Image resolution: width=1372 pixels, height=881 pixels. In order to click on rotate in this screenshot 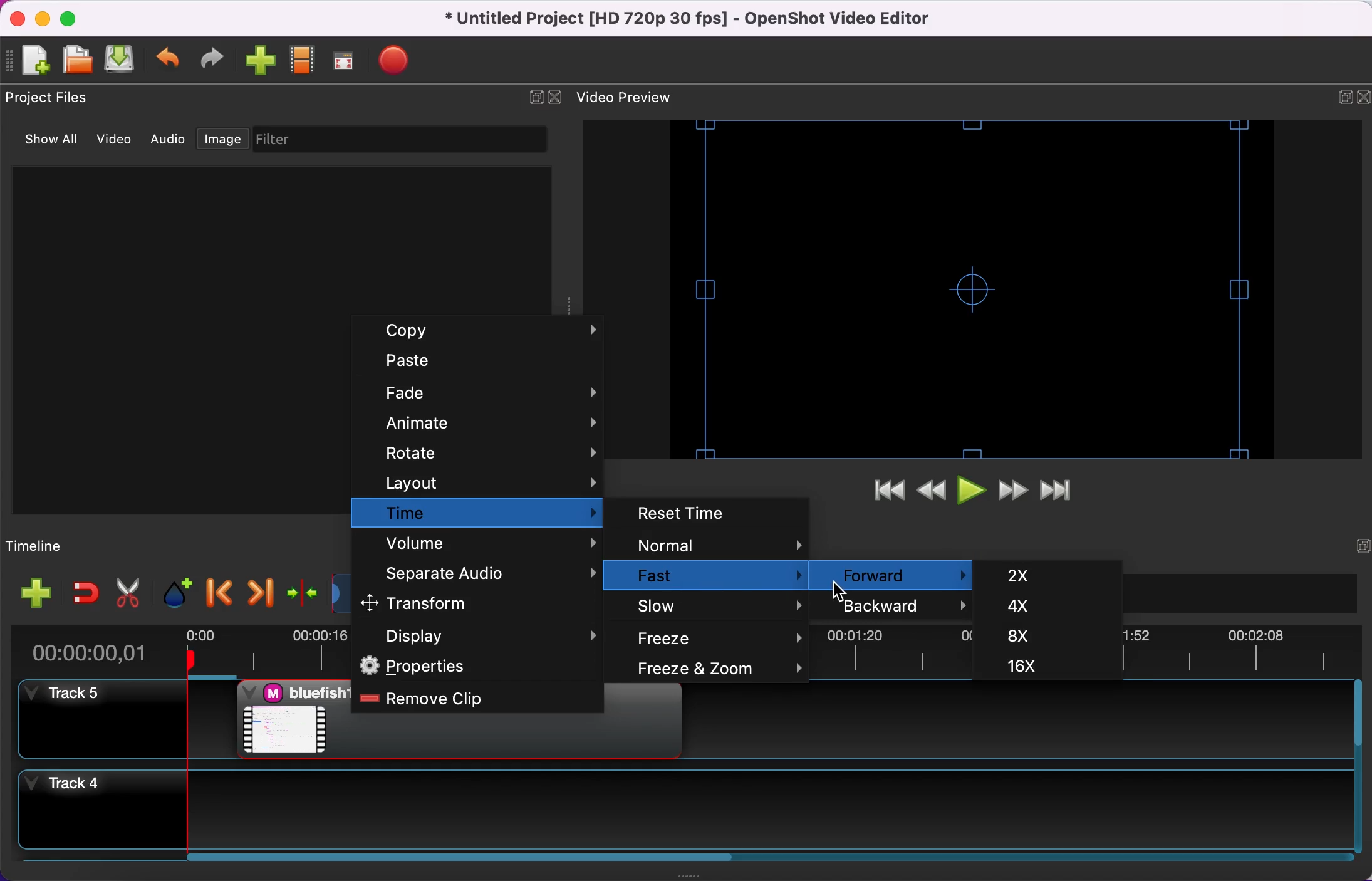, I will do `click(486, 456)`.